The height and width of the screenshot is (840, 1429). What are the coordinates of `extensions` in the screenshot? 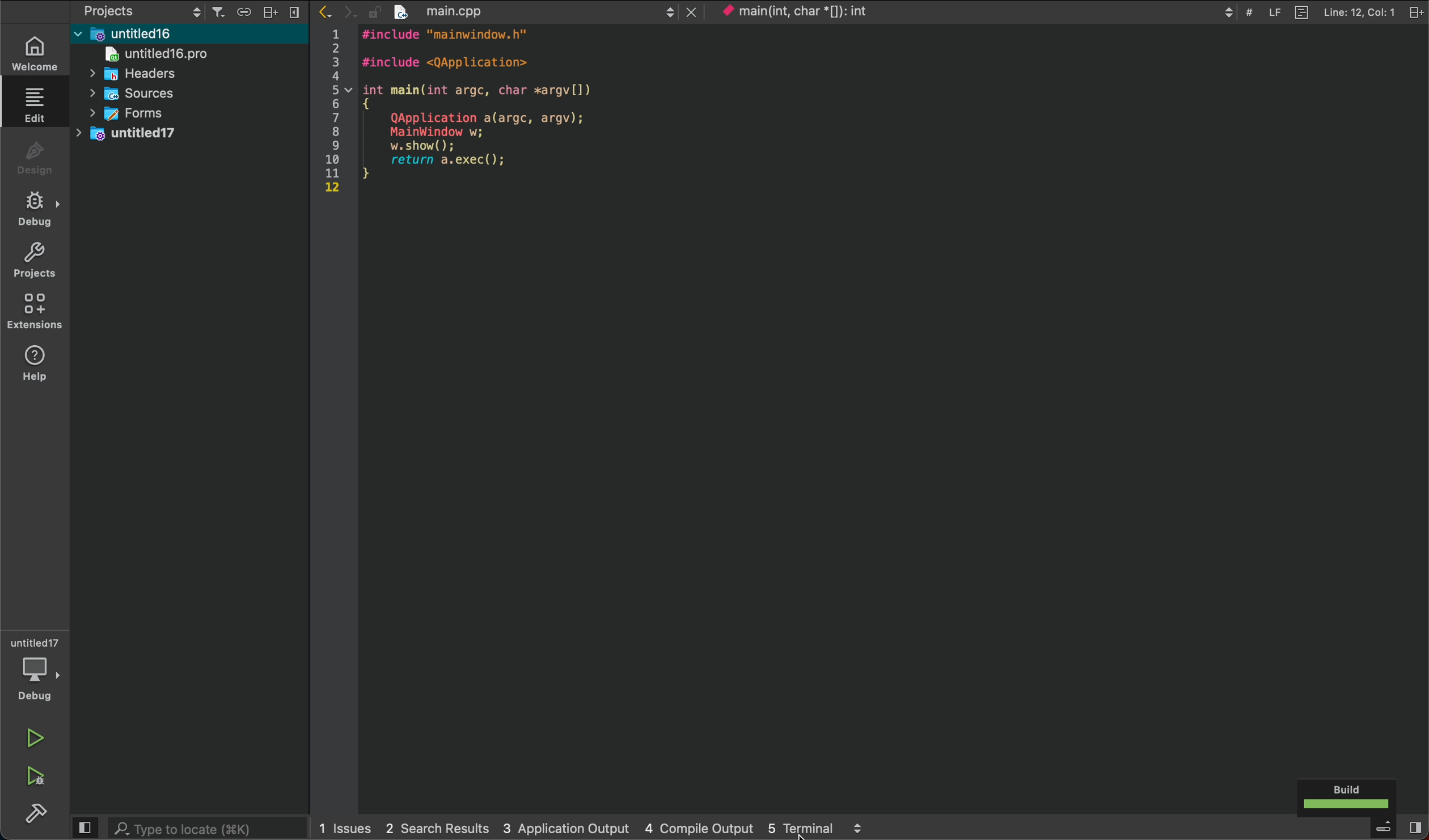 It's located at (34, 312).